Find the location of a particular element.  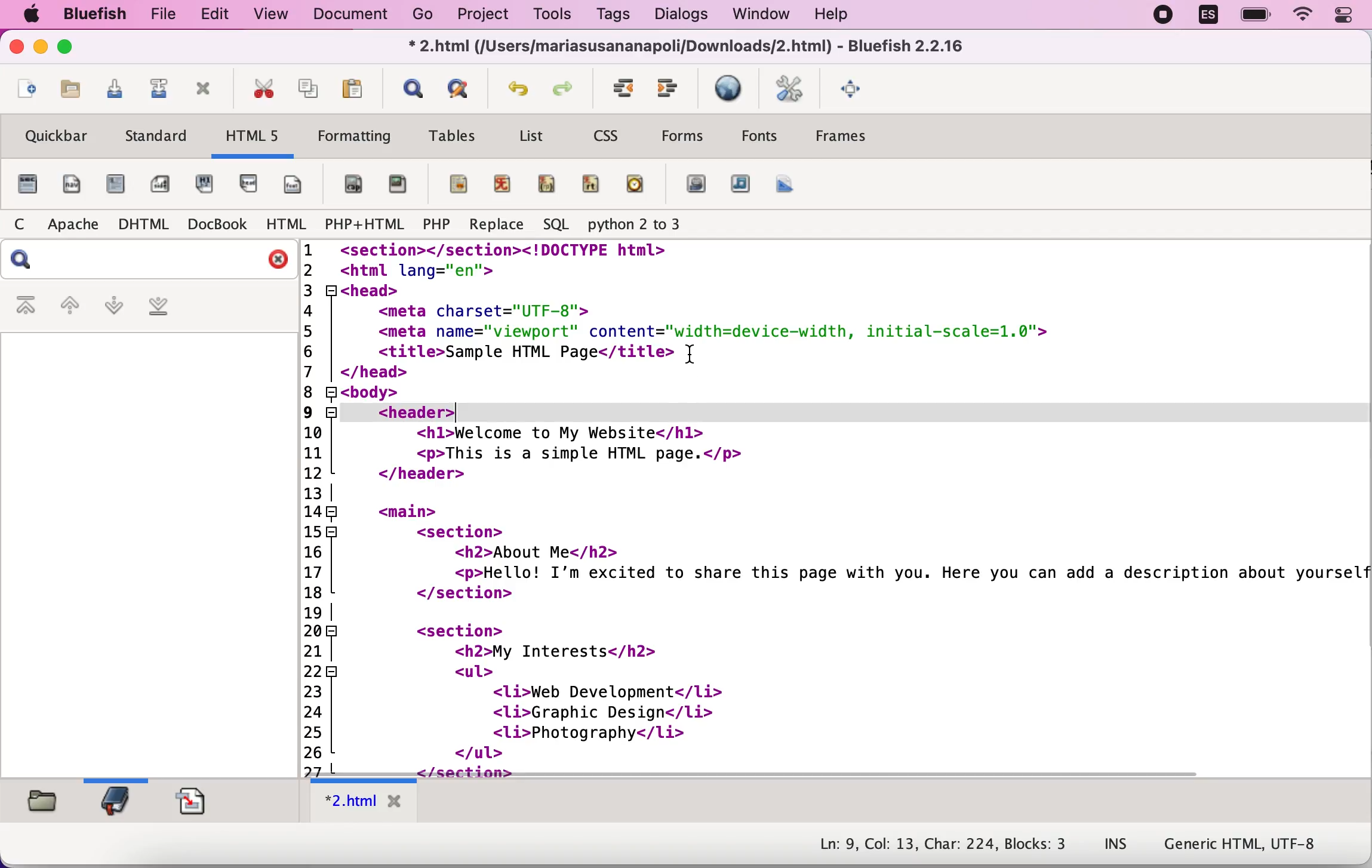

cut is located at coordinates (265, 90).